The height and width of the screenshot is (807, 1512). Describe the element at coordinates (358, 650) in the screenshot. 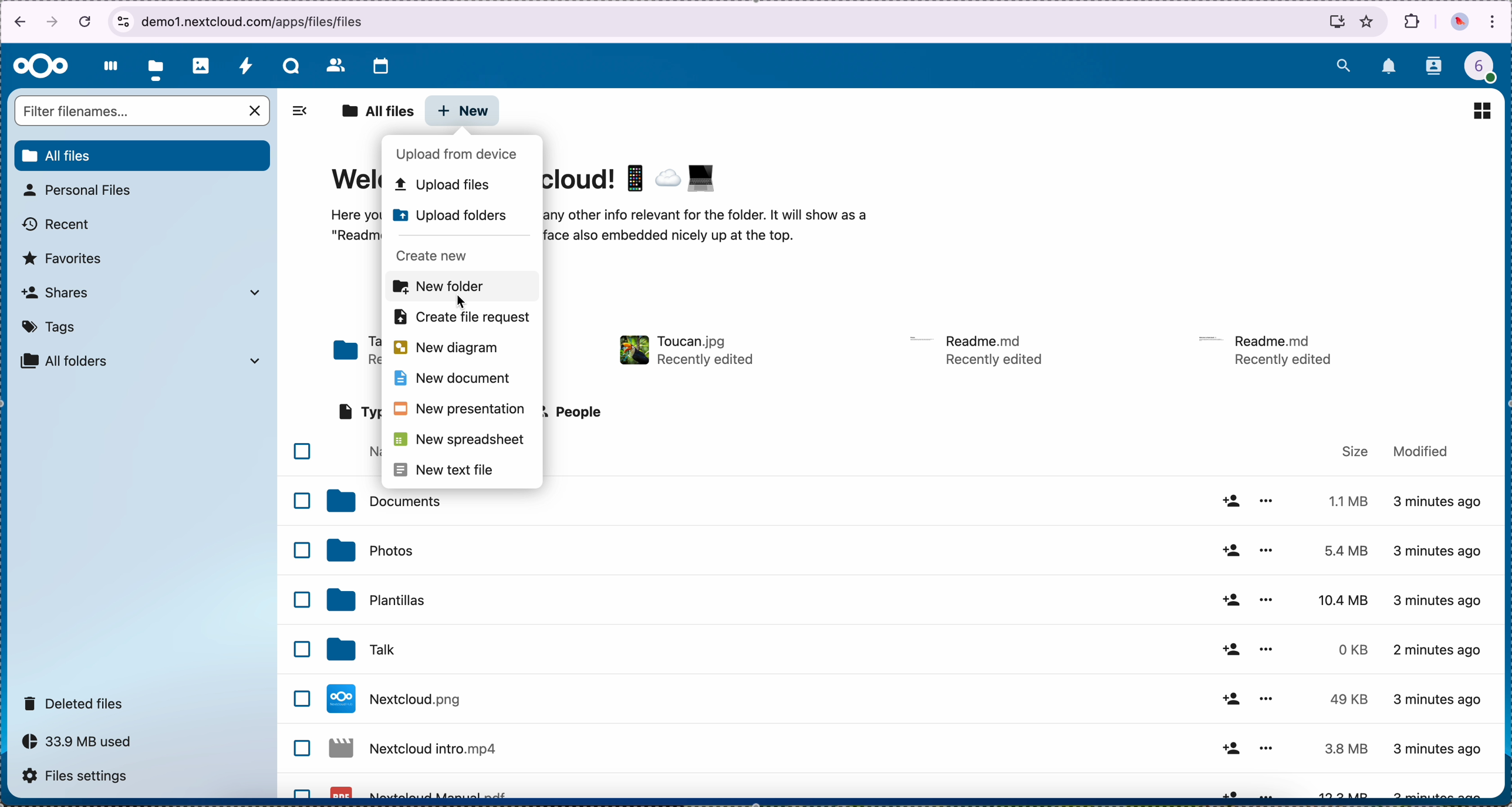

I see `talk` at that location.